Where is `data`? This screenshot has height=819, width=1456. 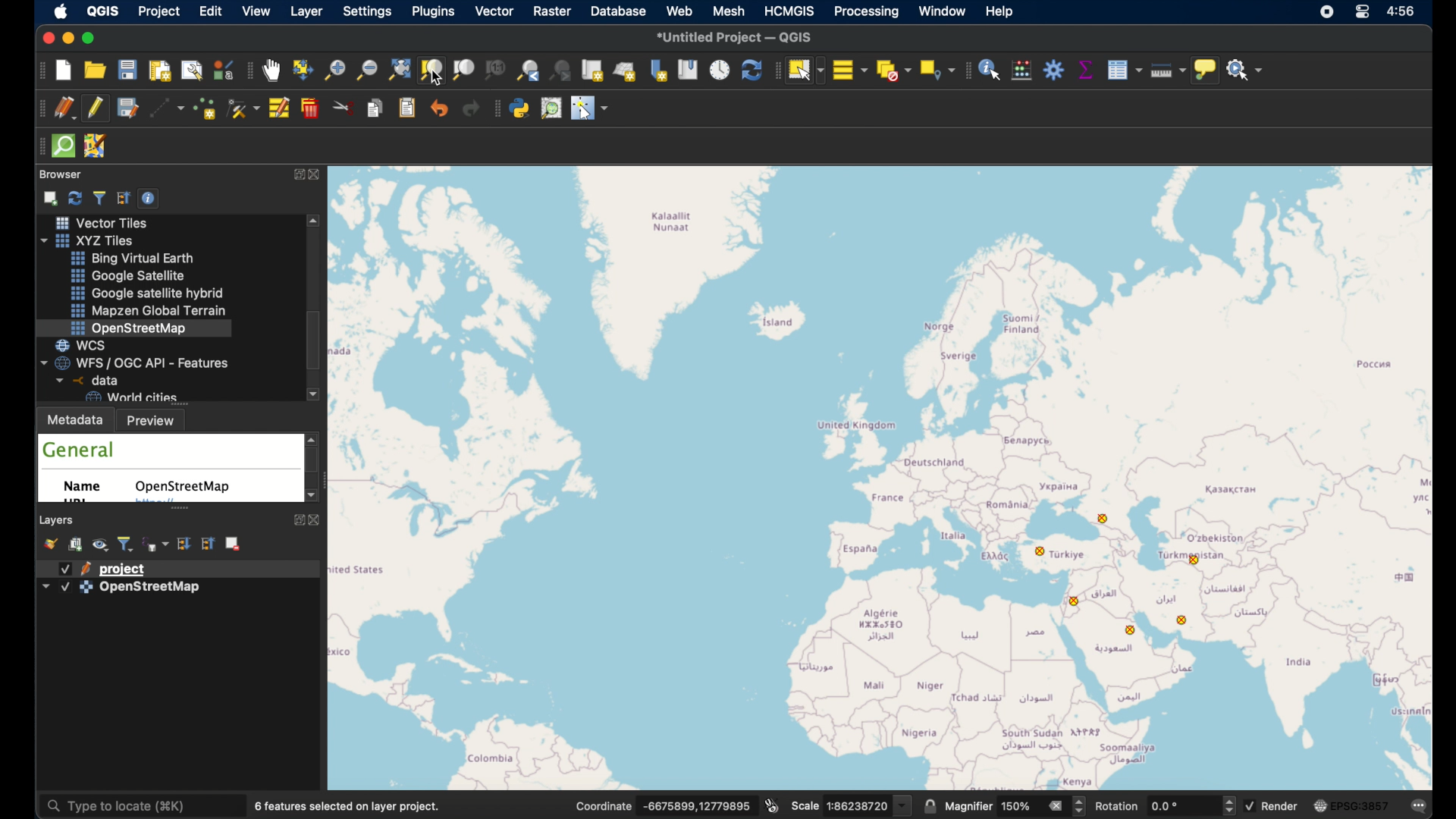 data is located at coordinates (84, 380).